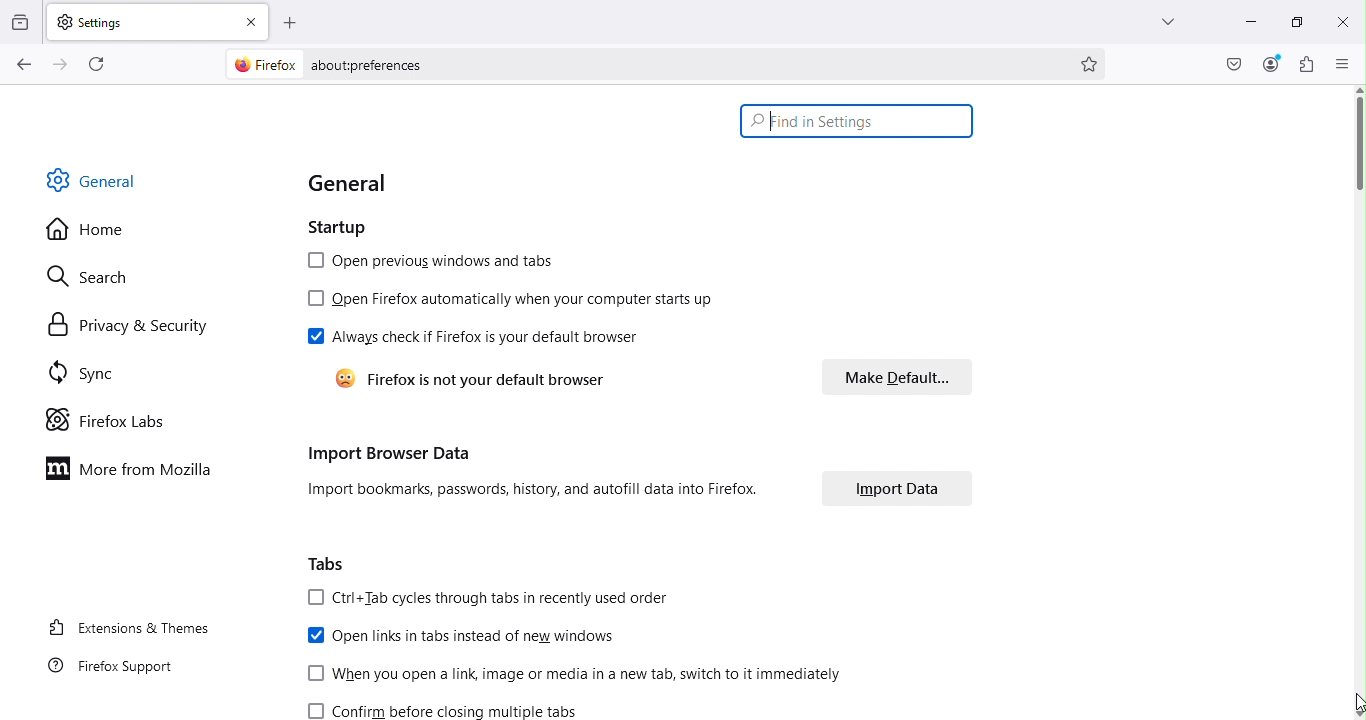 Image resolution: width=1366 pixels, height=720 pixels. Describe the element at coordinates (352, 184) in the screenshot. I see `General` at that location.